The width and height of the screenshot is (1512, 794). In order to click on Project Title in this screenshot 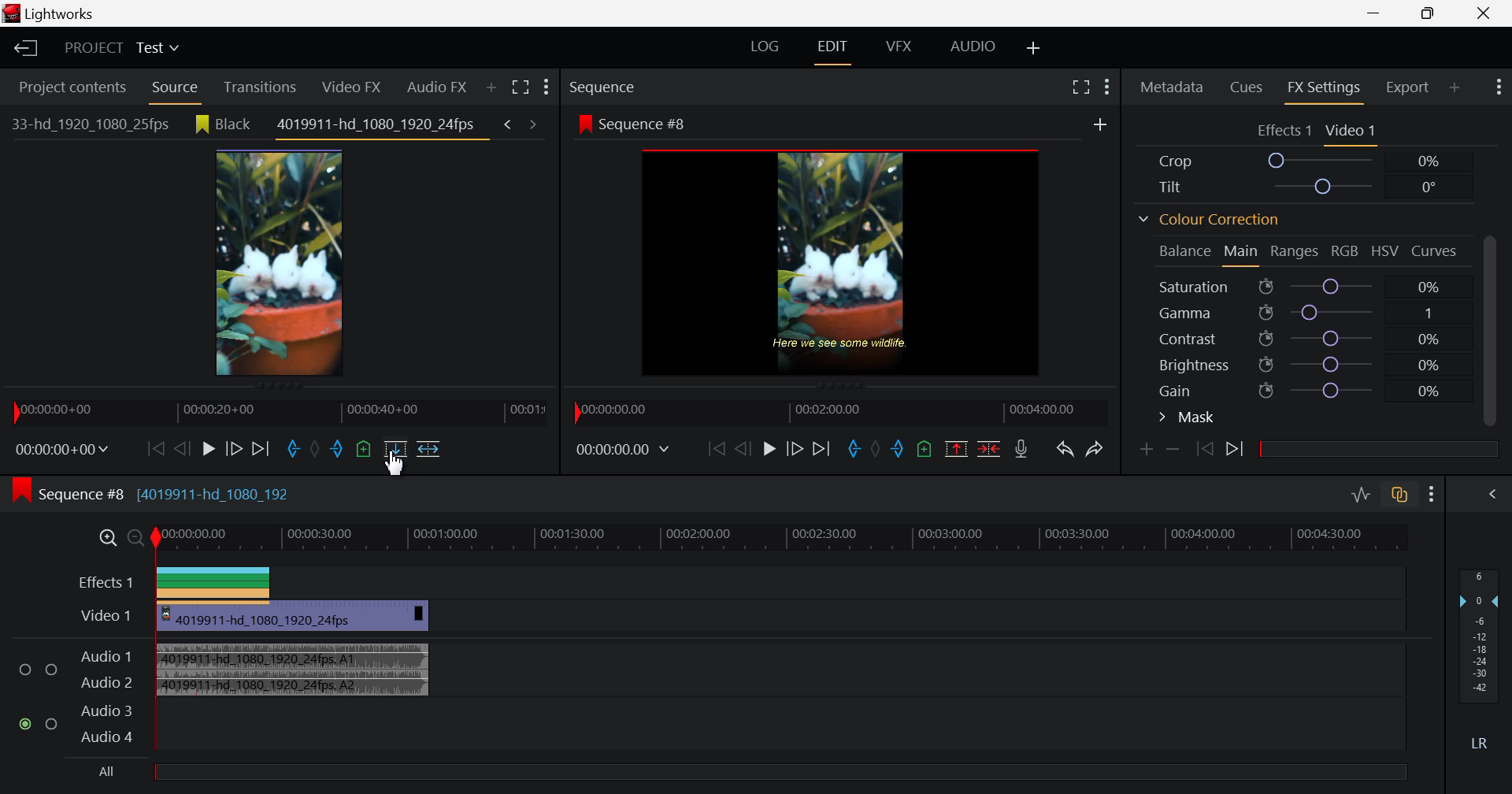, I will do `click(118, 49)`.